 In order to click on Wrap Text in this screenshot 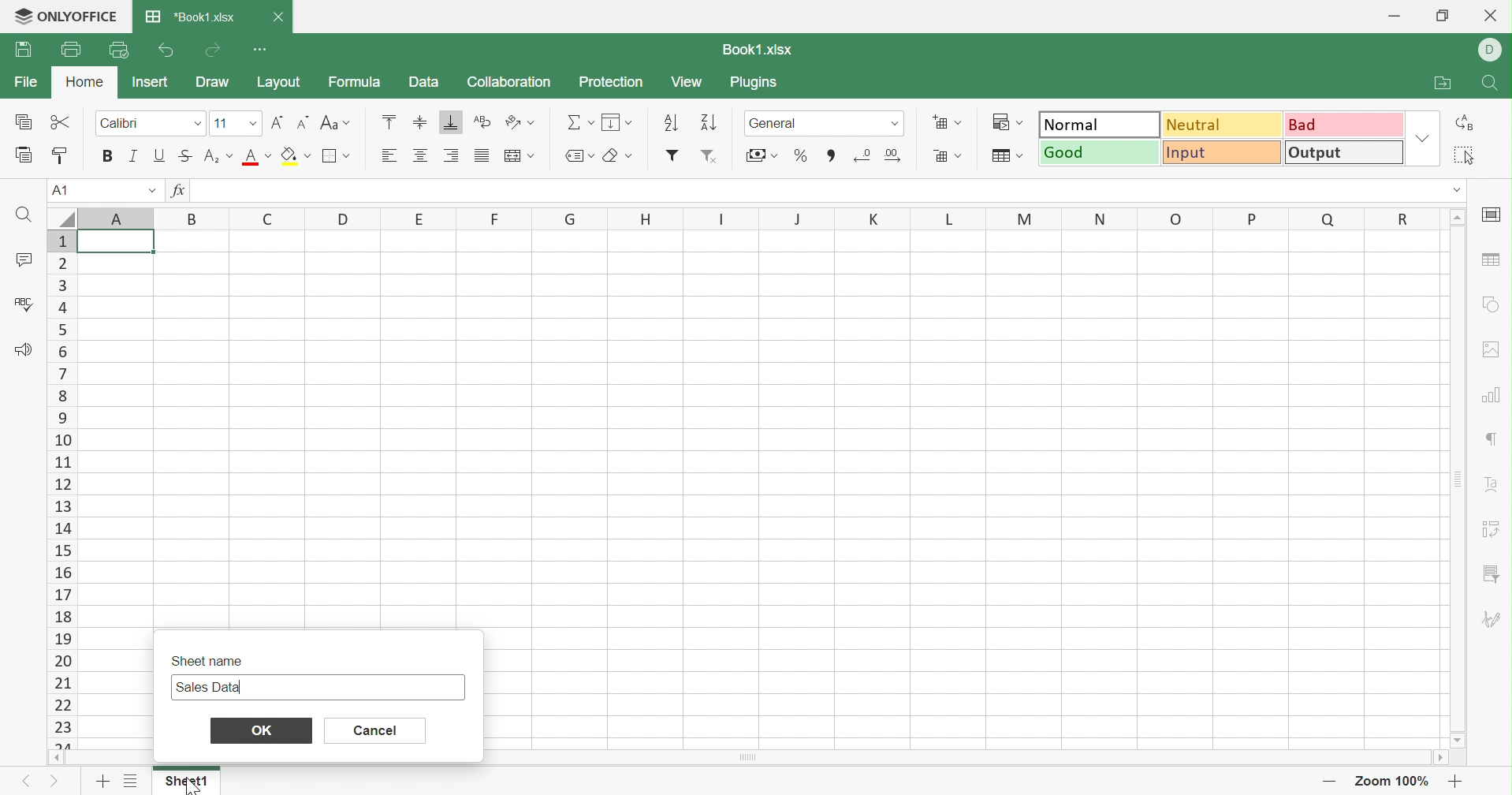, I will do `click(481, 121)`.